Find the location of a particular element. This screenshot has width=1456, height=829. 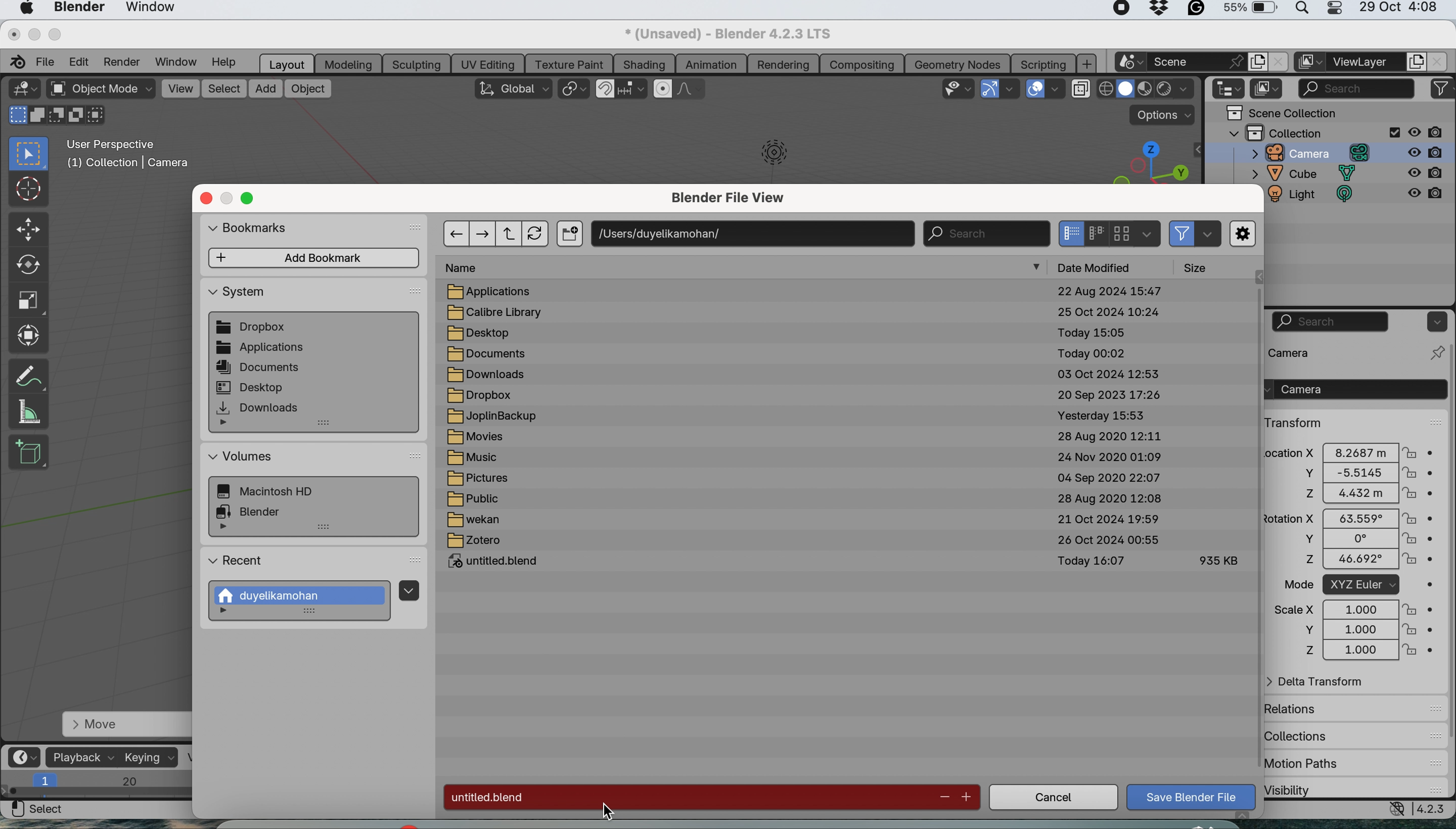

maximise is located at coordinates (251, 199).